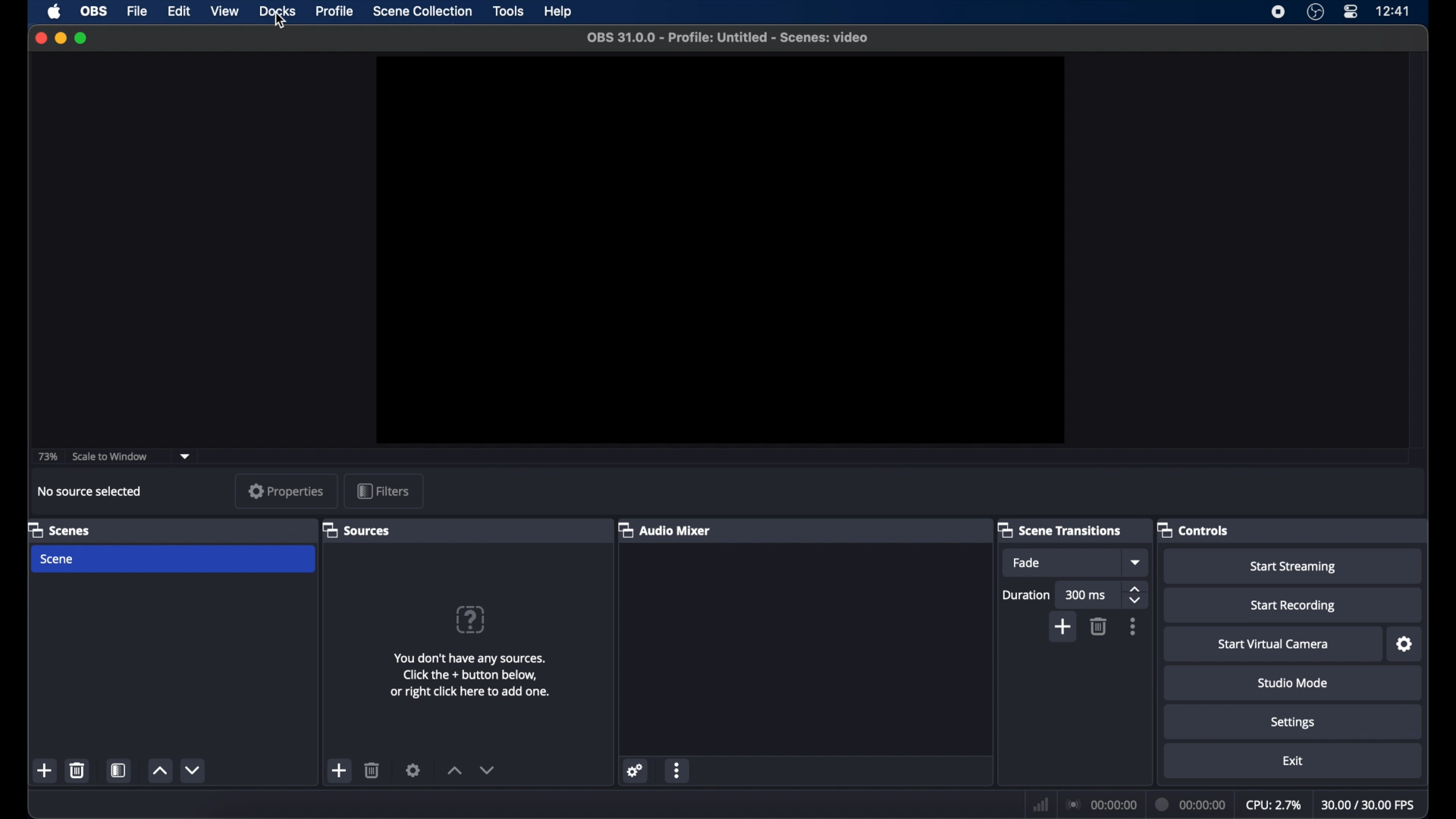 This screenshot has width=1456, height=819. Describe the element at coordinates (40, 38) in the screenshot. I see `close` at that location.